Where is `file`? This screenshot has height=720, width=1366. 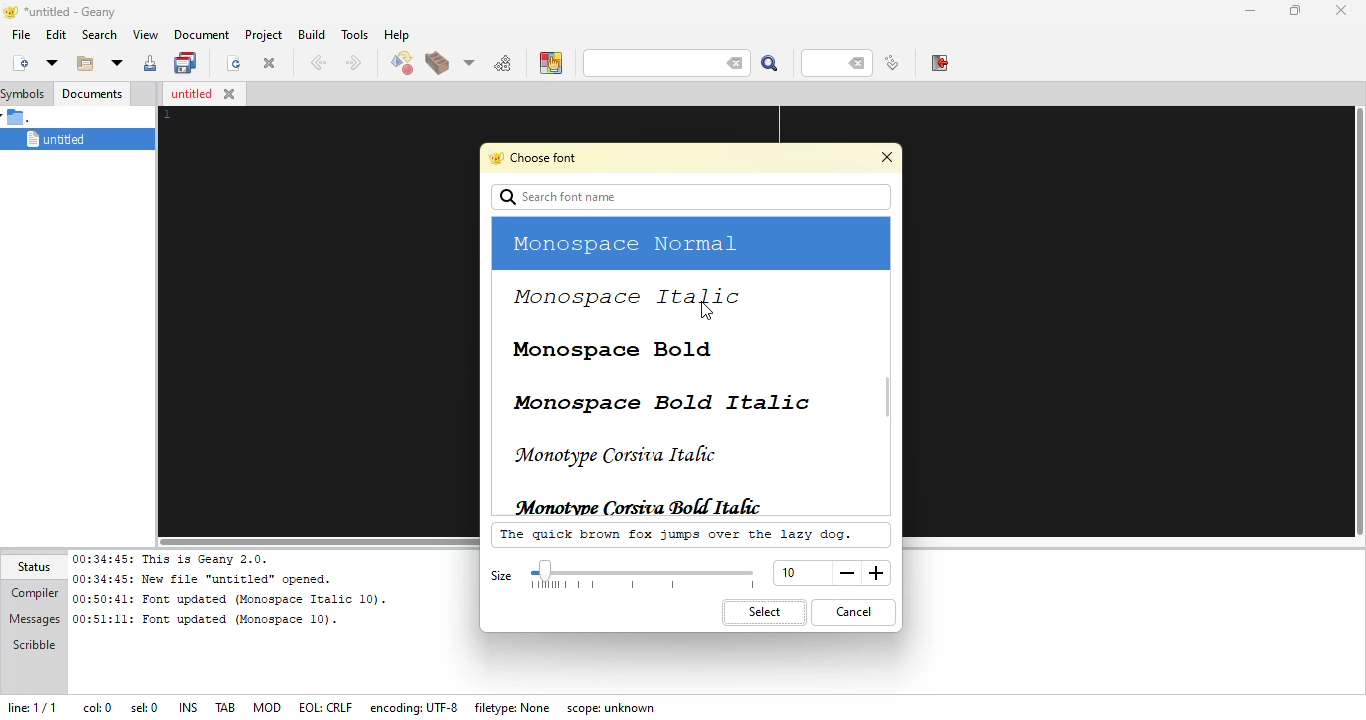
file is located at coordinates (20, 34).